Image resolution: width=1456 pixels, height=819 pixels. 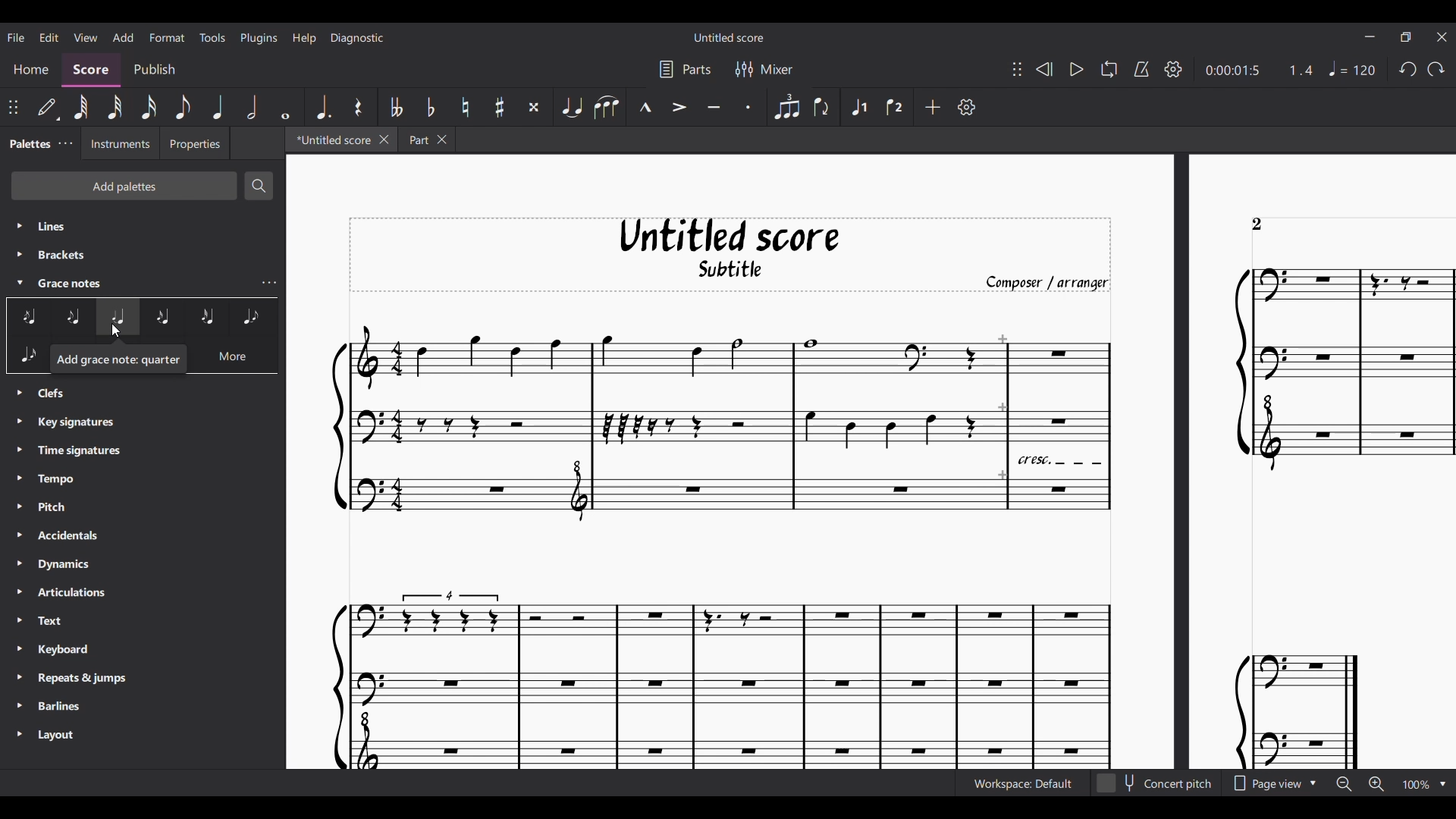 I want to click on Marcato, so click(x=644, y=107).